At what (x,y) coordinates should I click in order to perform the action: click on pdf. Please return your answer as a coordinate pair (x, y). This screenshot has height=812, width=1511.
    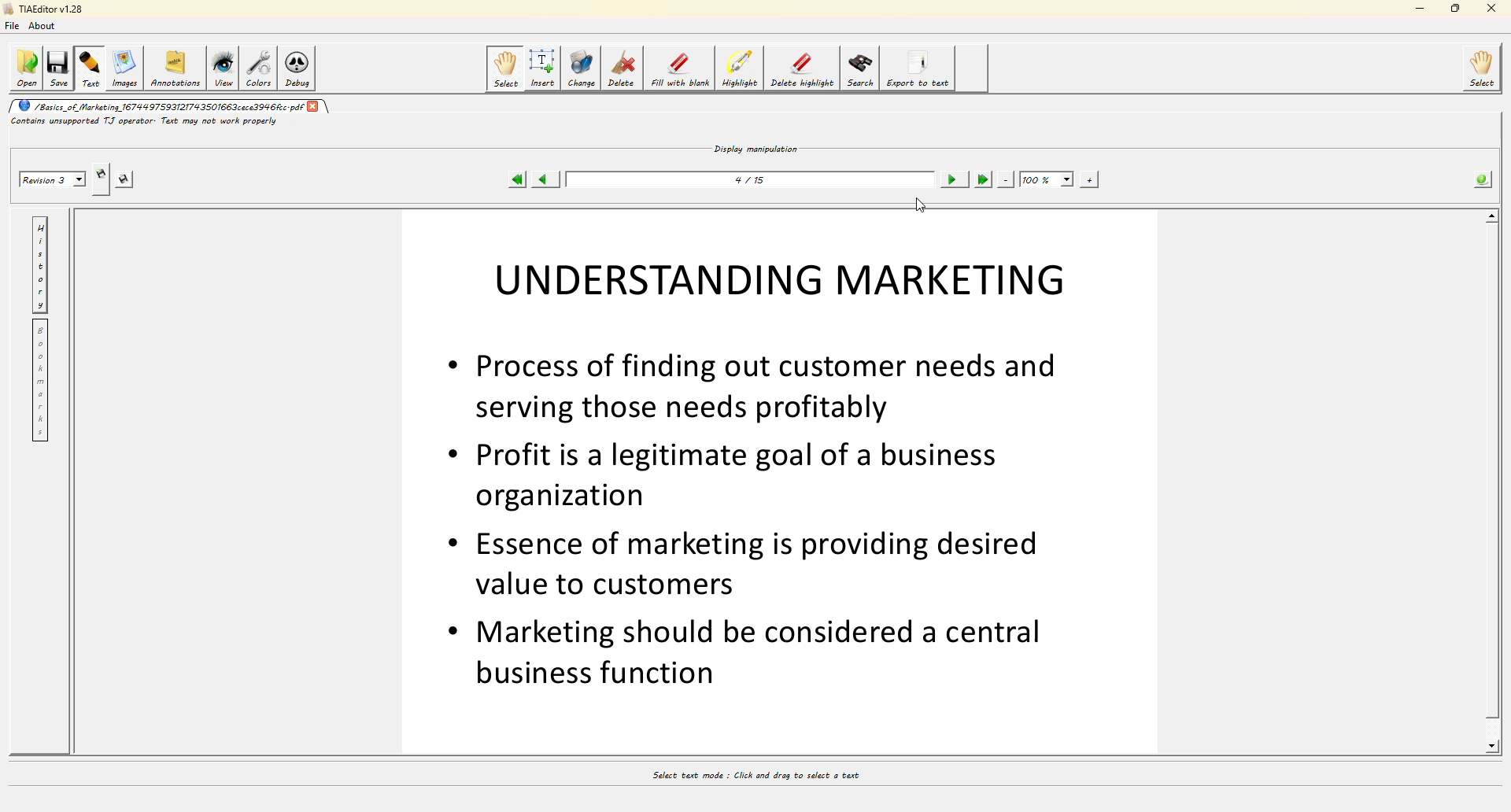
    Looking at the image, I should click on (159, 106).